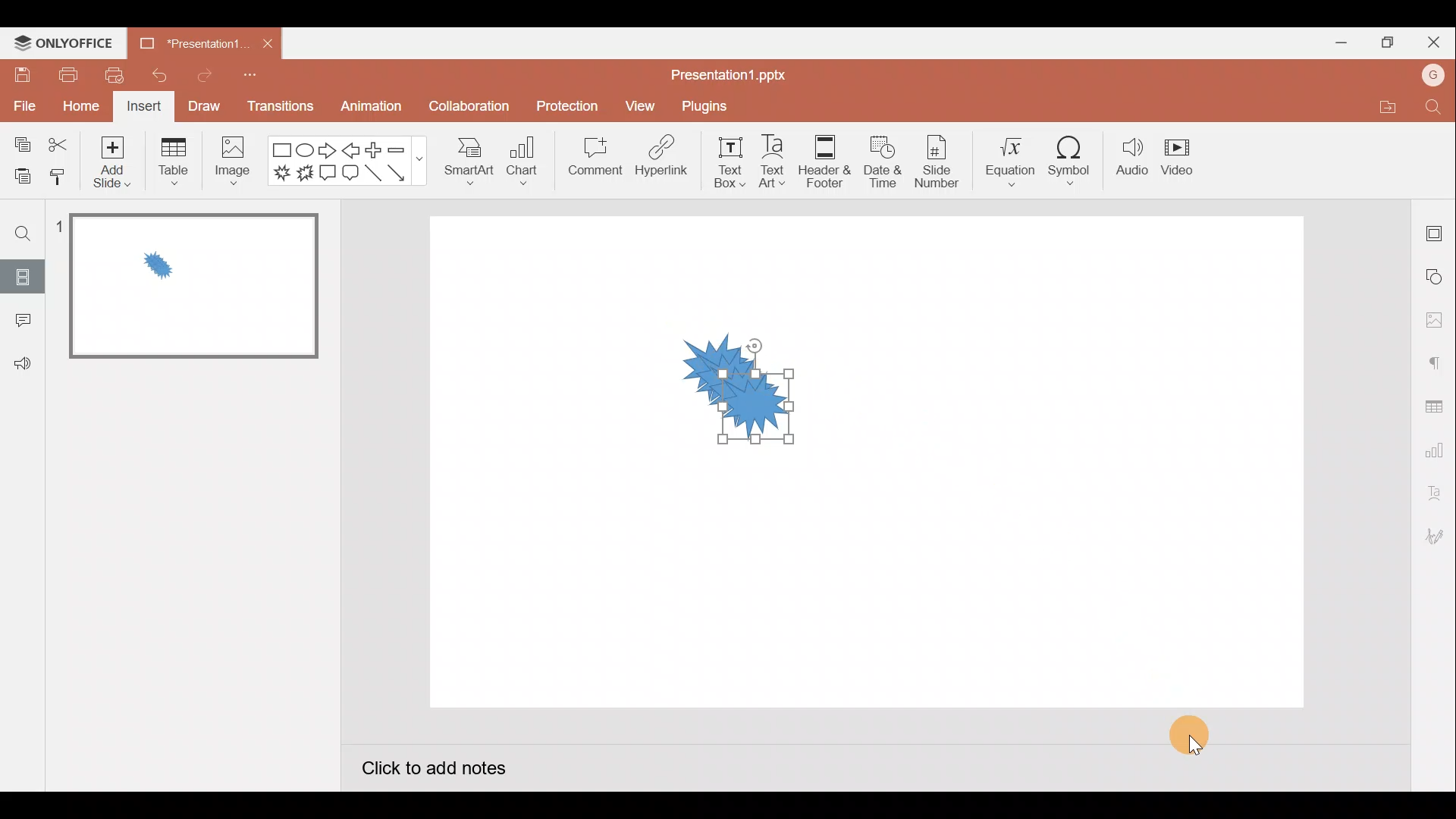  Describe the element at coordinates (350, 174) in the screenshot. I see `Rounded rectangular callout` at that location.